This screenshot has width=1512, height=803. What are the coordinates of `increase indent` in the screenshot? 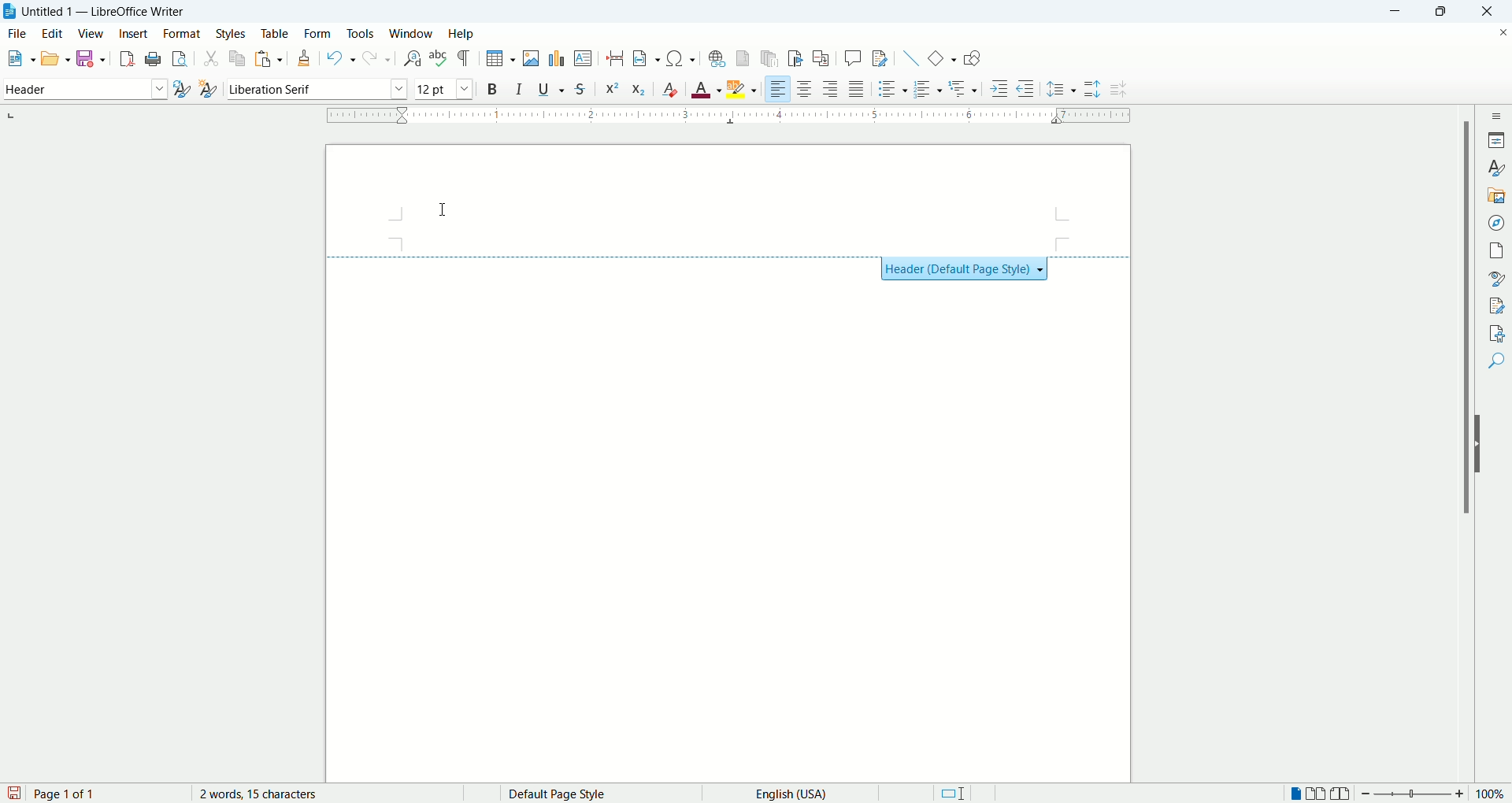 It's located at (999, 89).